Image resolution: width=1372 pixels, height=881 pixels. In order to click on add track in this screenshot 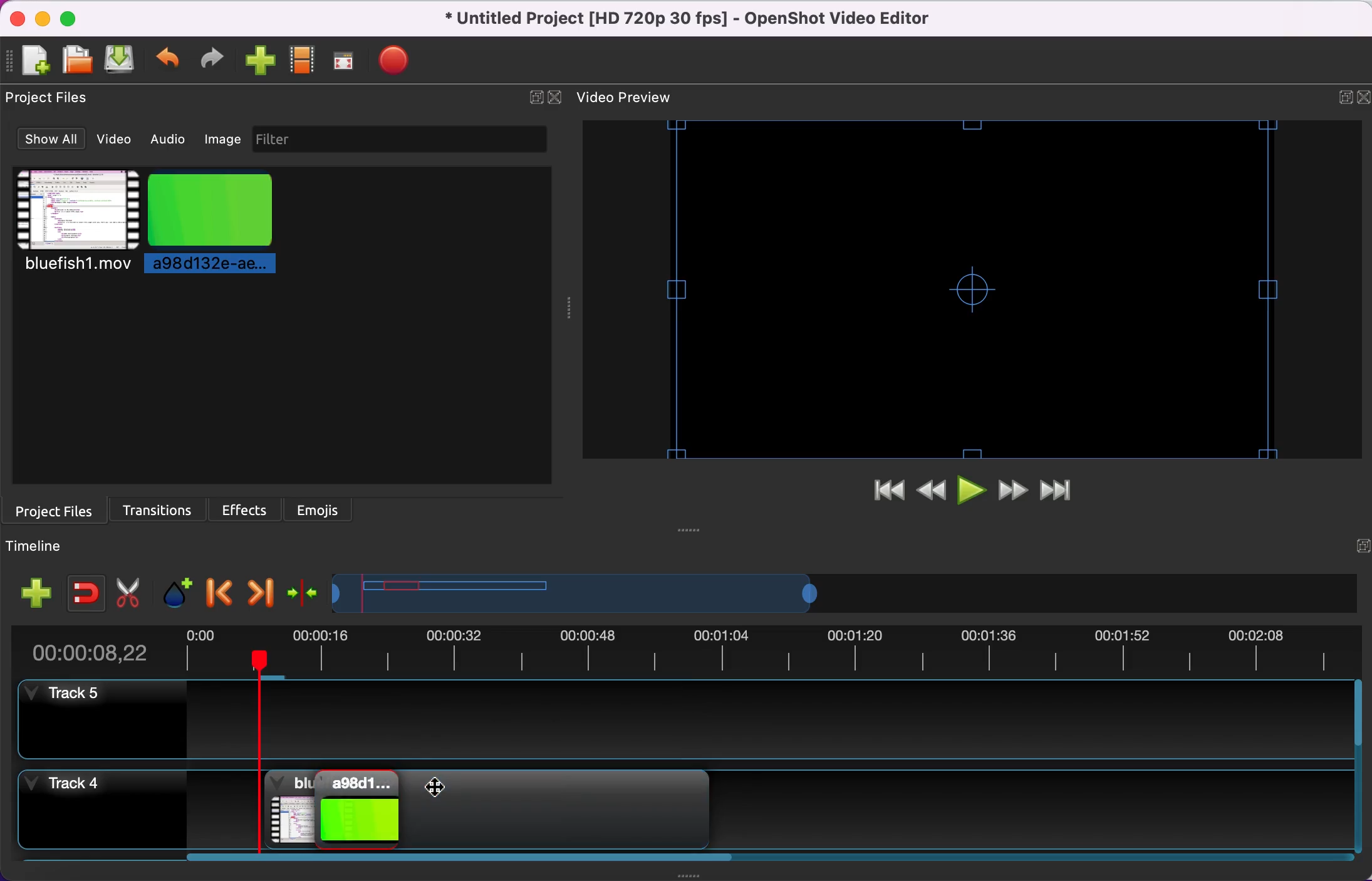, I will do `click(37, 592)`.